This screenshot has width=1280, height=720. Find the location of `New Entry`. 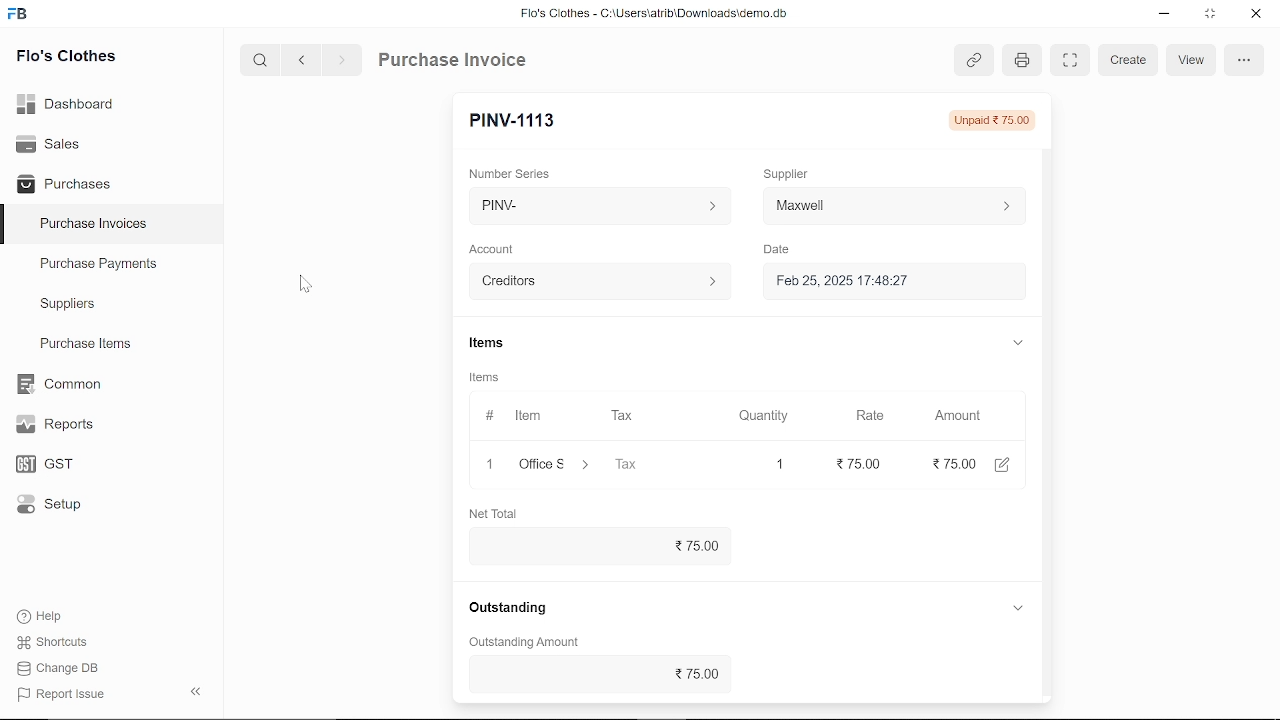

New Entry is located at coordinates (518, 119).